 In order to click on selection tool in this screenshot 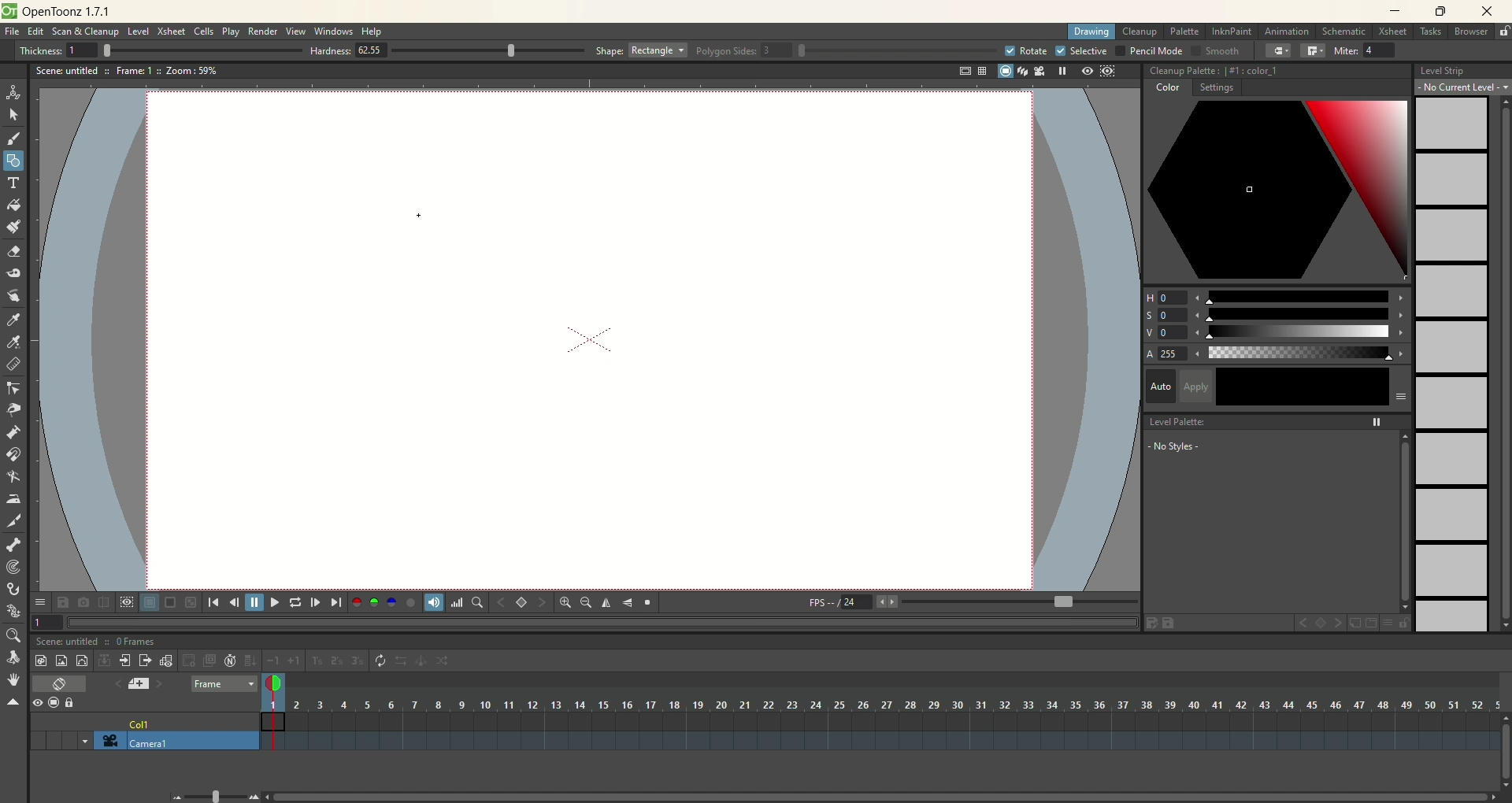, I will do `click(13, 114)`.